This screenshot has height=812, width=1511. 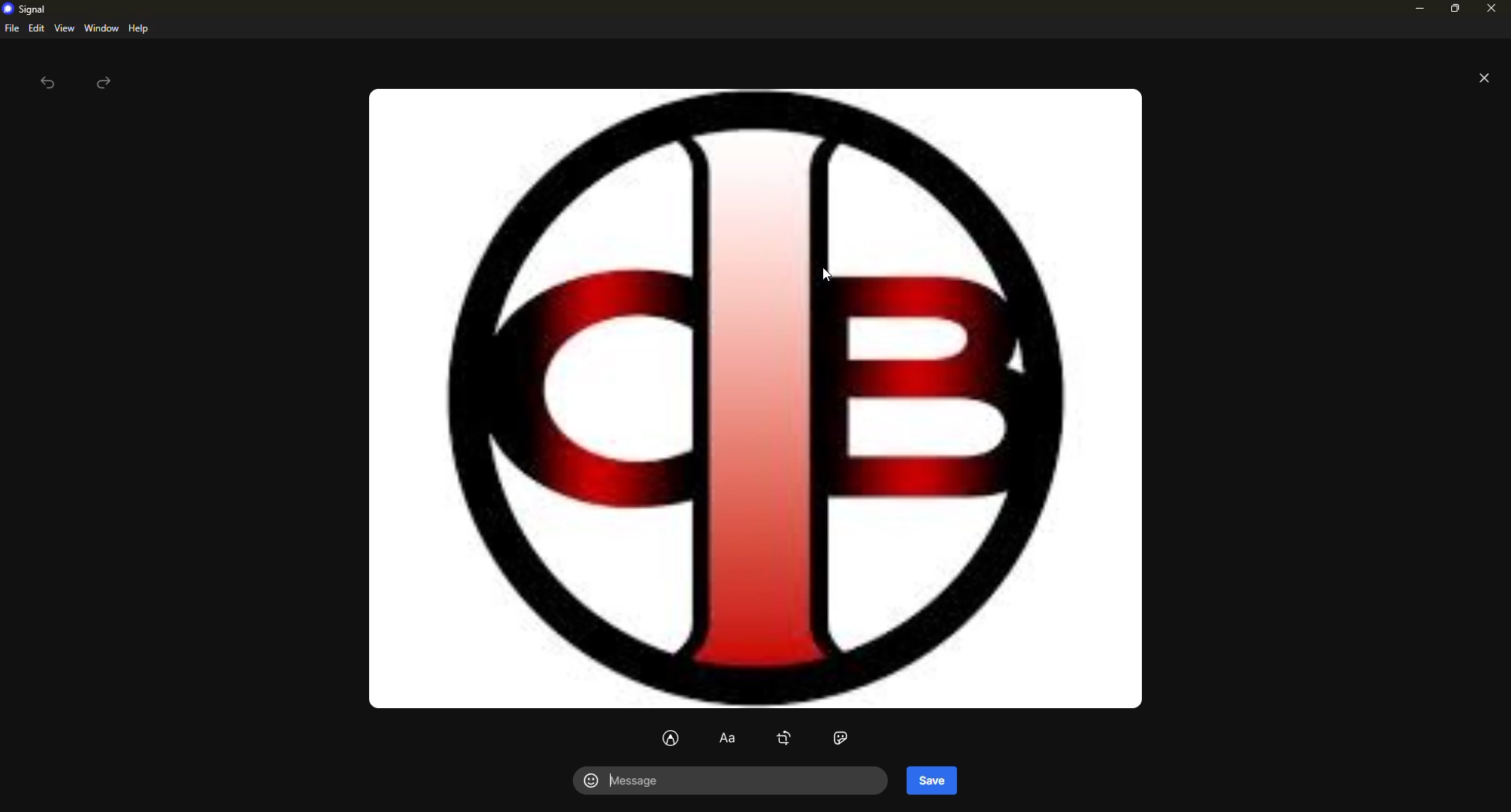 What do you see at coordinates (64, 29) in the screenshot?
I see `view` at bounding box center [64, 29].